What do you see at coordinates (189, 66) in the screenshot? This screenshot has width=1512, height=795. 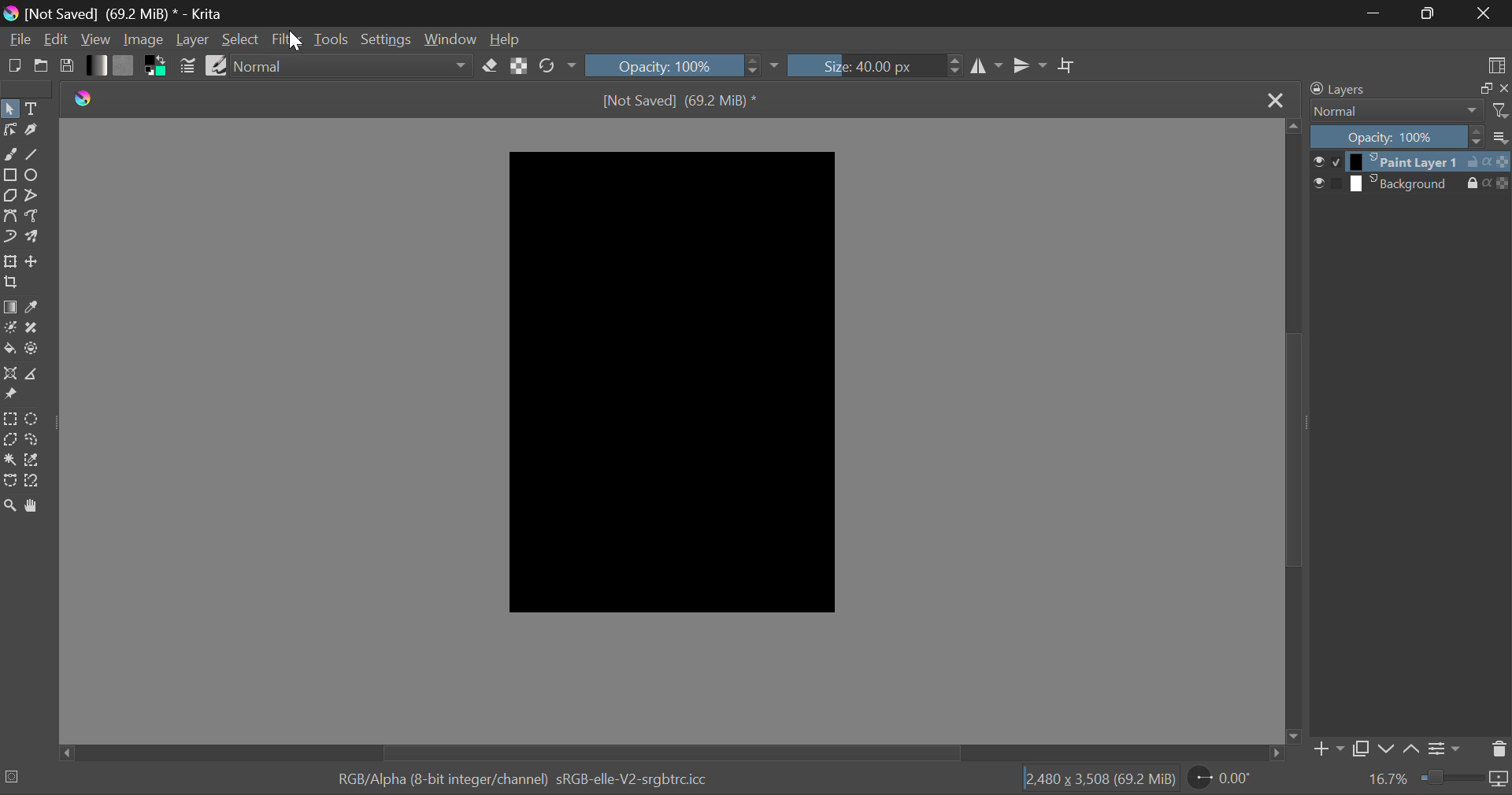 I see `Brush Settings` at bounding box center [189, 66].